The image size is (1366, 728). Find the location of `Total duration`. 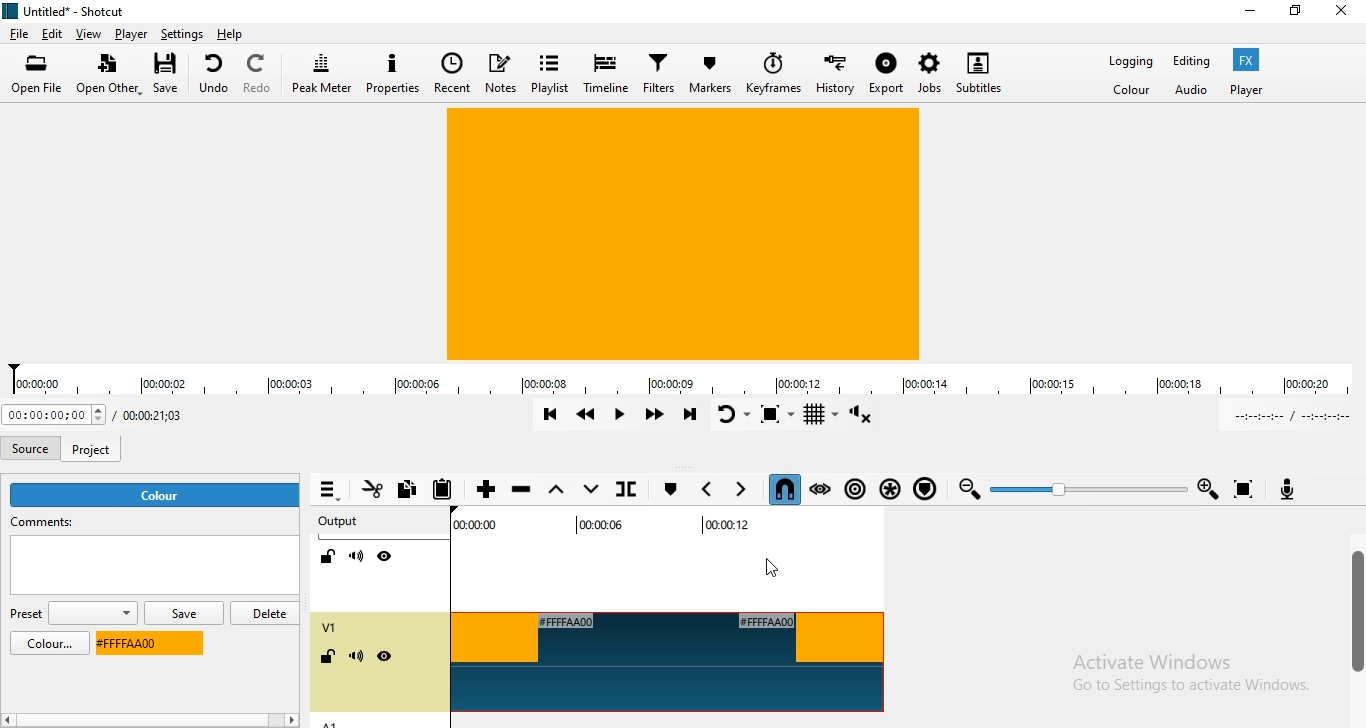

Total duration is located at coordinates (162, 415).